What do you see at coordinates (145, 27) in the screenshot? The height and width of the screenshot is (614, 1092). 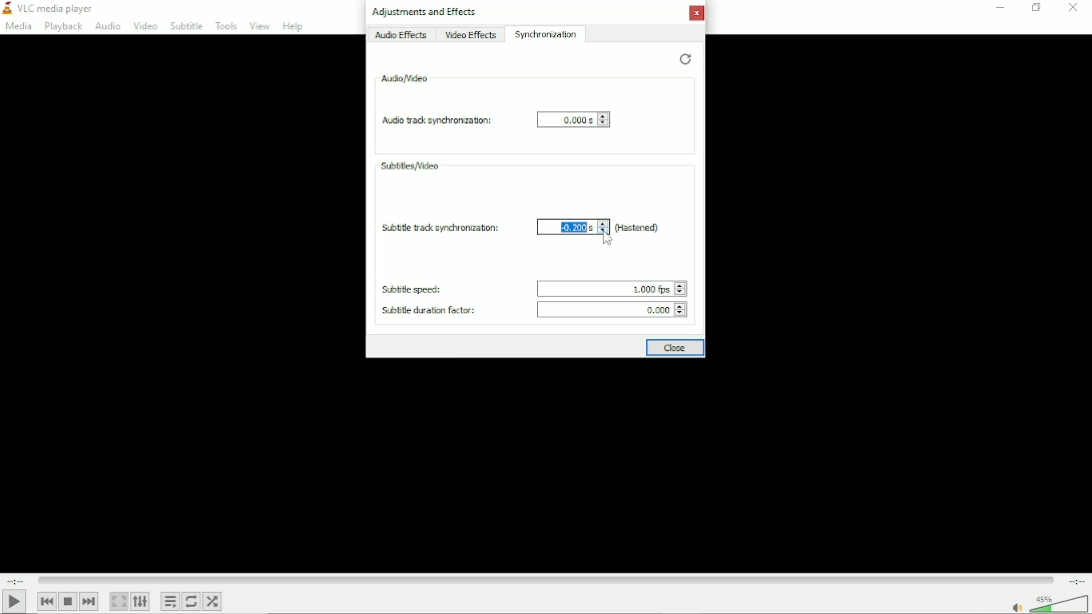 I see `Video` at bounding box center [145, 27].